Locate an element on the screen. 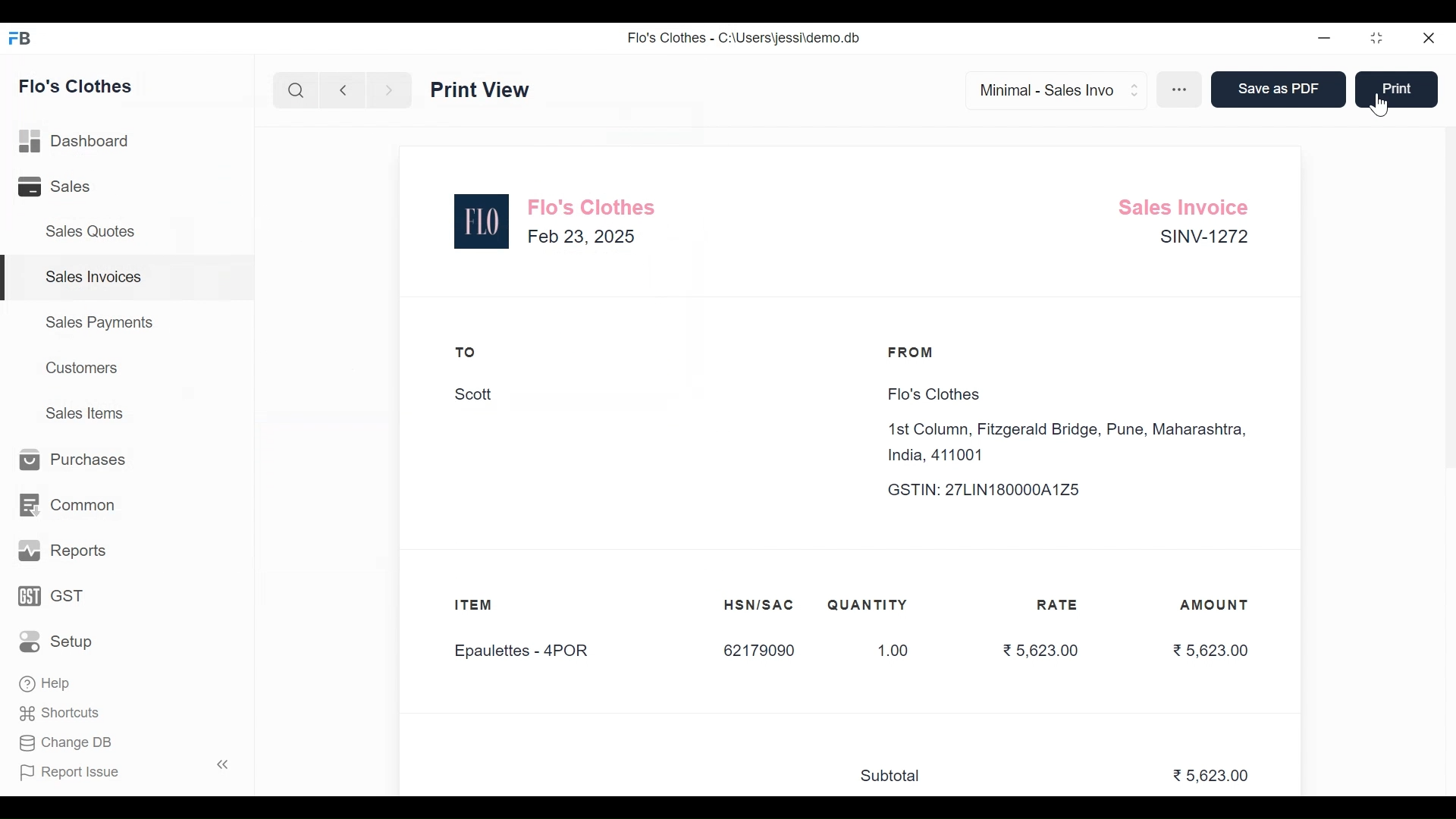 This screenshot has width=1456, height=819. cursor is located at coordinates (1384, 104).